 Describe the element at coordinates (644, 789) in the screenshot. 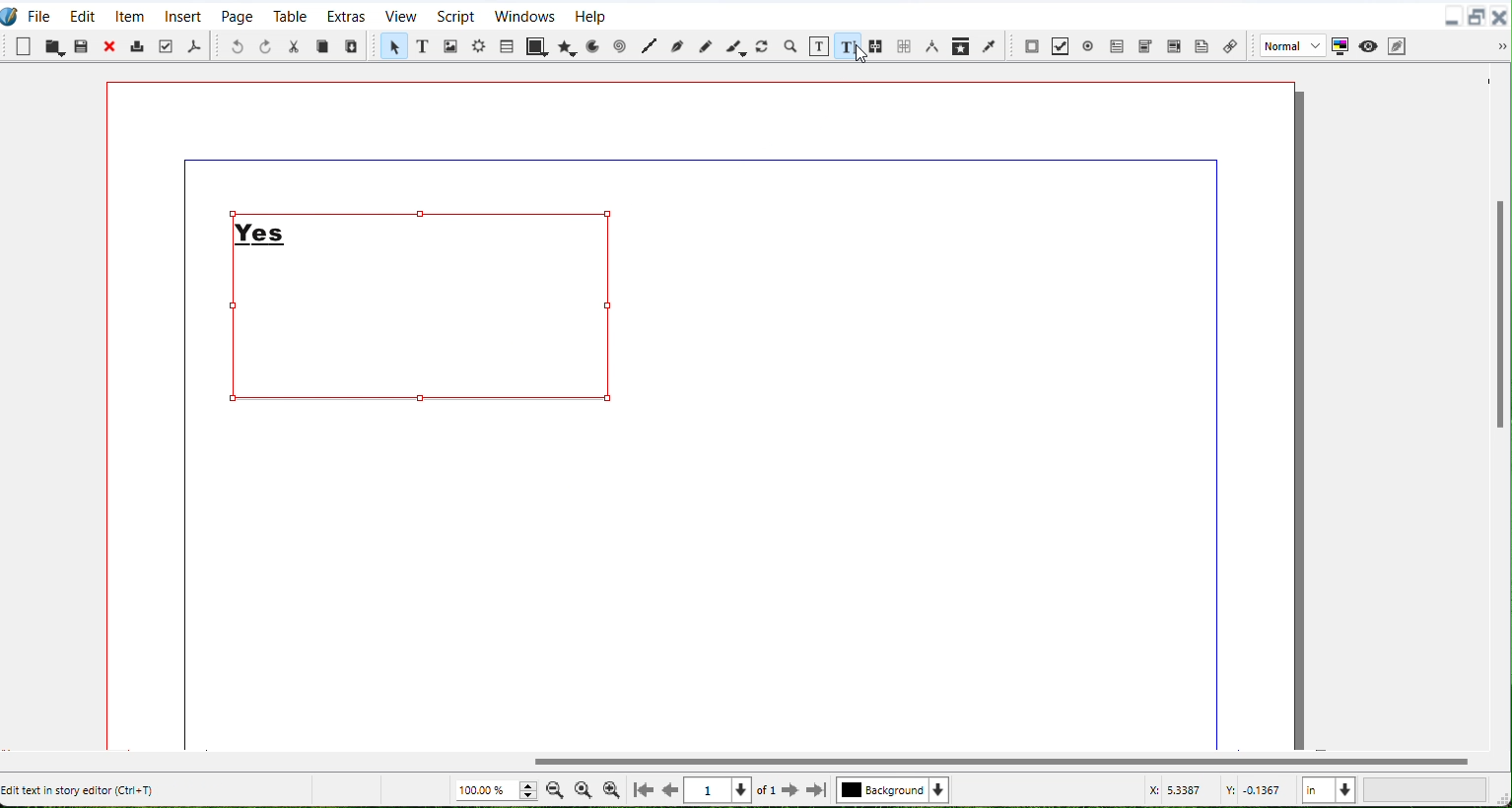

I see `Go to First Page` at that location.